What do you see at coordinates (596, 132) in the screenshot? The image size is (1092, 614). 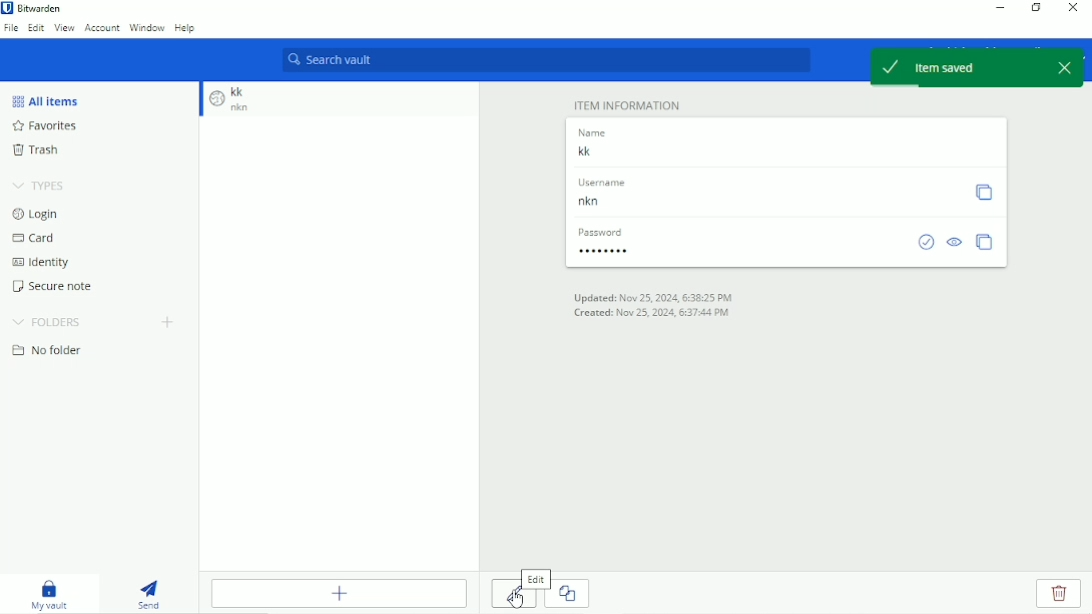 I see `name label` at bounding box center [596, 132].